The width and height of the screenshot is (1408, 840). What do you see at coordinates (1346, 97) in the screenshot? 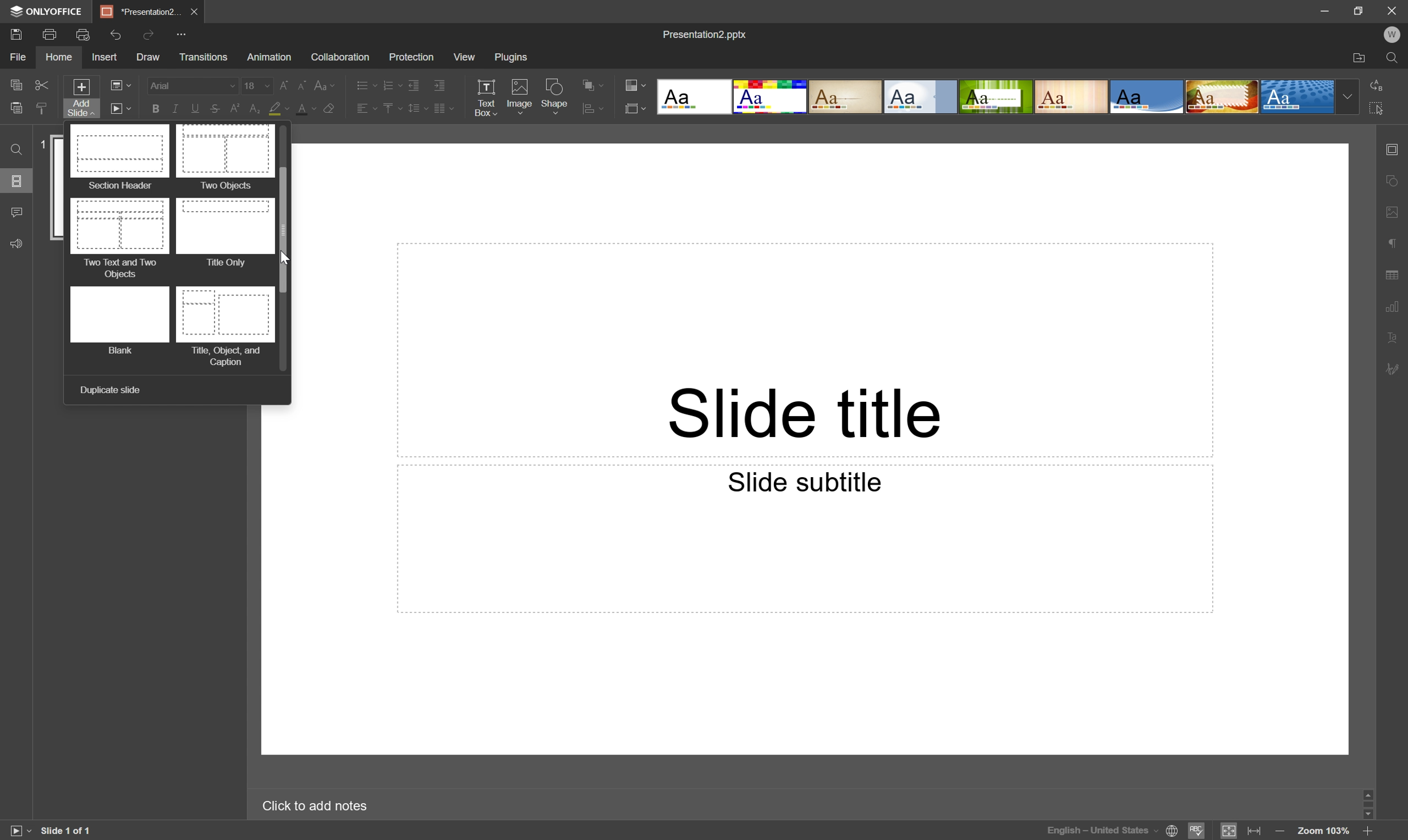
I see `Drop Down` at bounding box center [1346, 97].